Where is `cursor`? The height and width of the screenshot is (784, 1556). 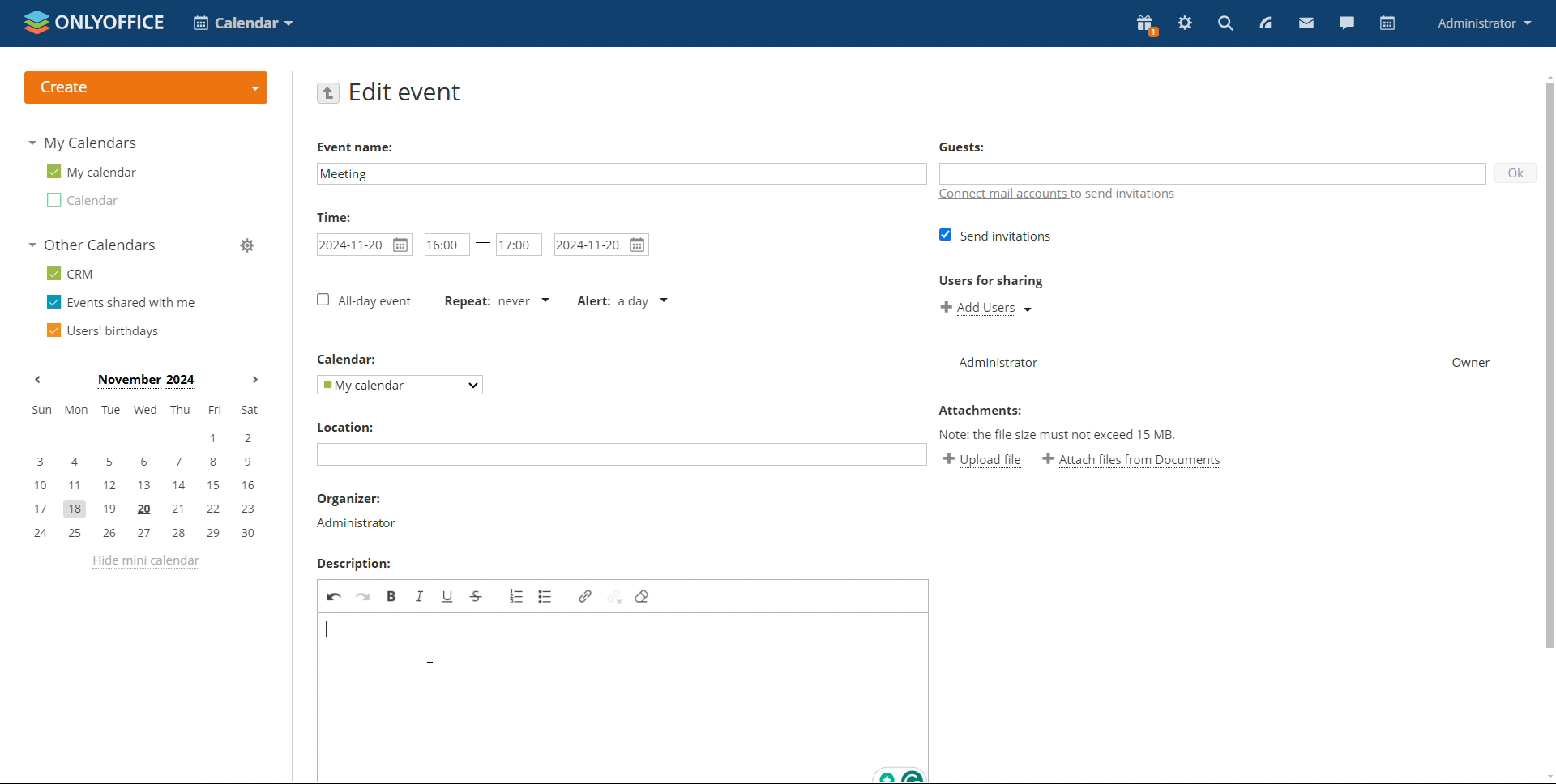 cursor is located at coordinates (431, 657).